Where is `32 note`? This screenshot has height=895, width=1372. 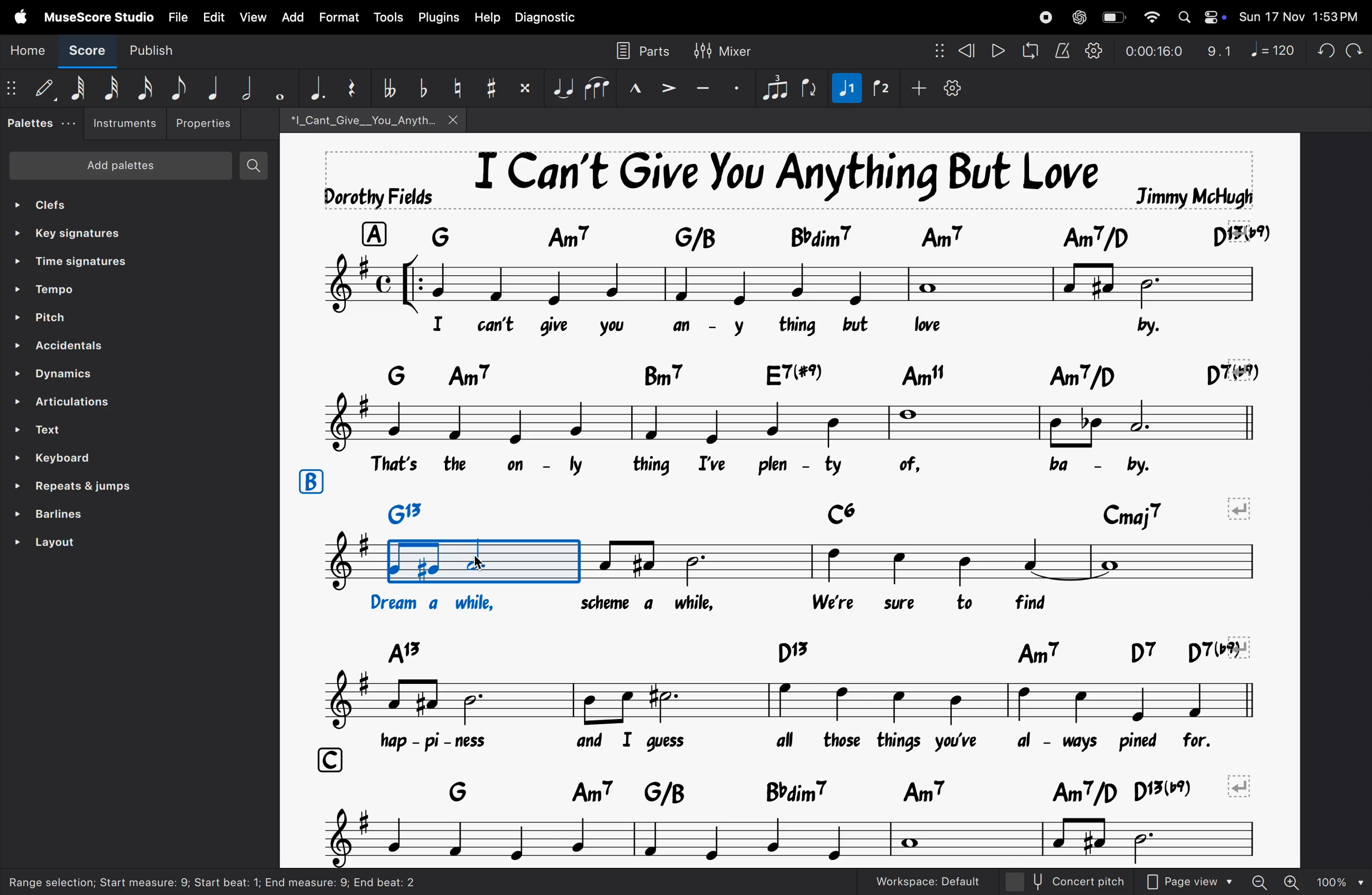 32 note is located at coordinates (112, 89).